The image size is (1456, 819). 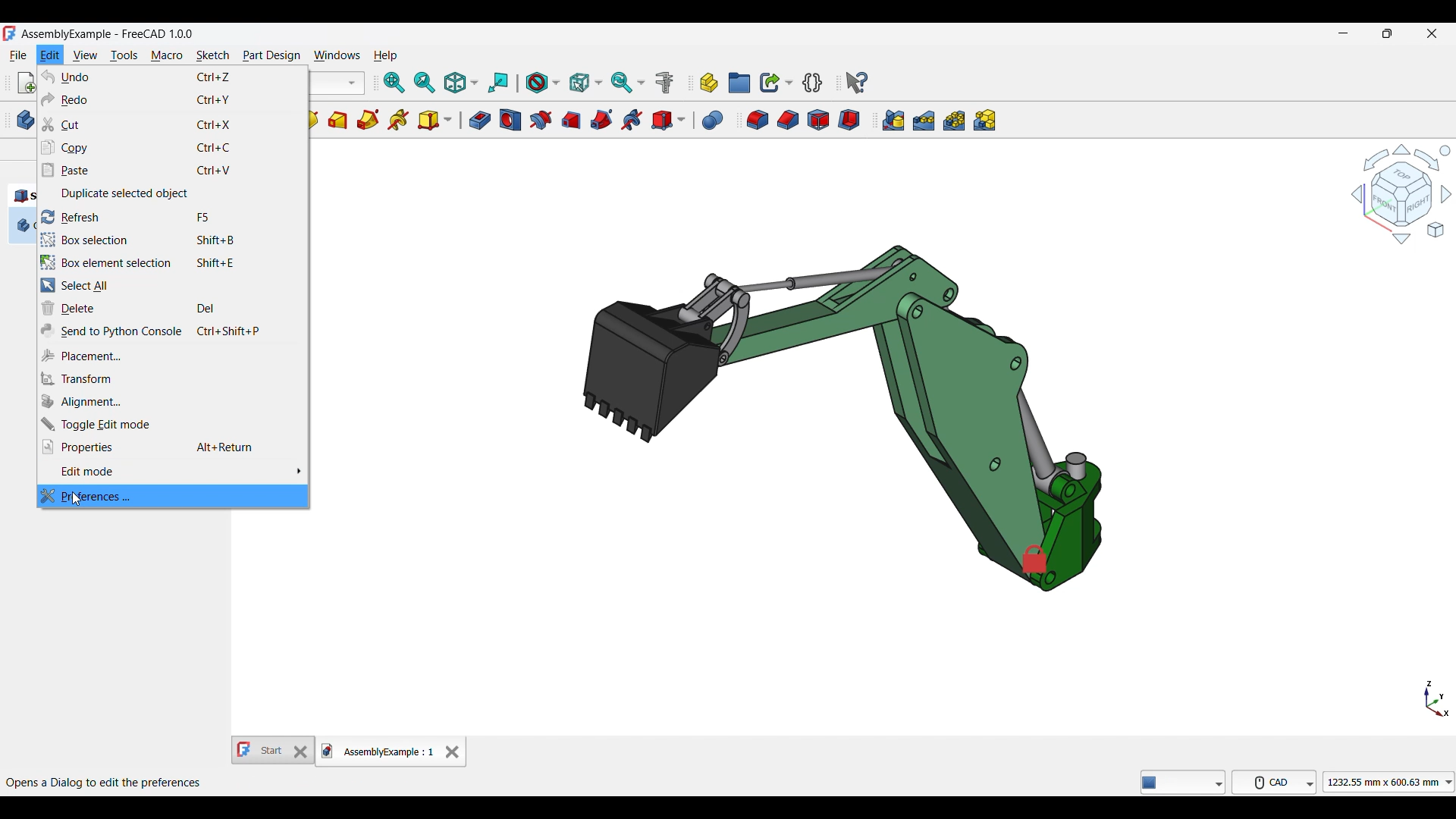 I want to click on Axis navigation, so click(x=1437, y=698).